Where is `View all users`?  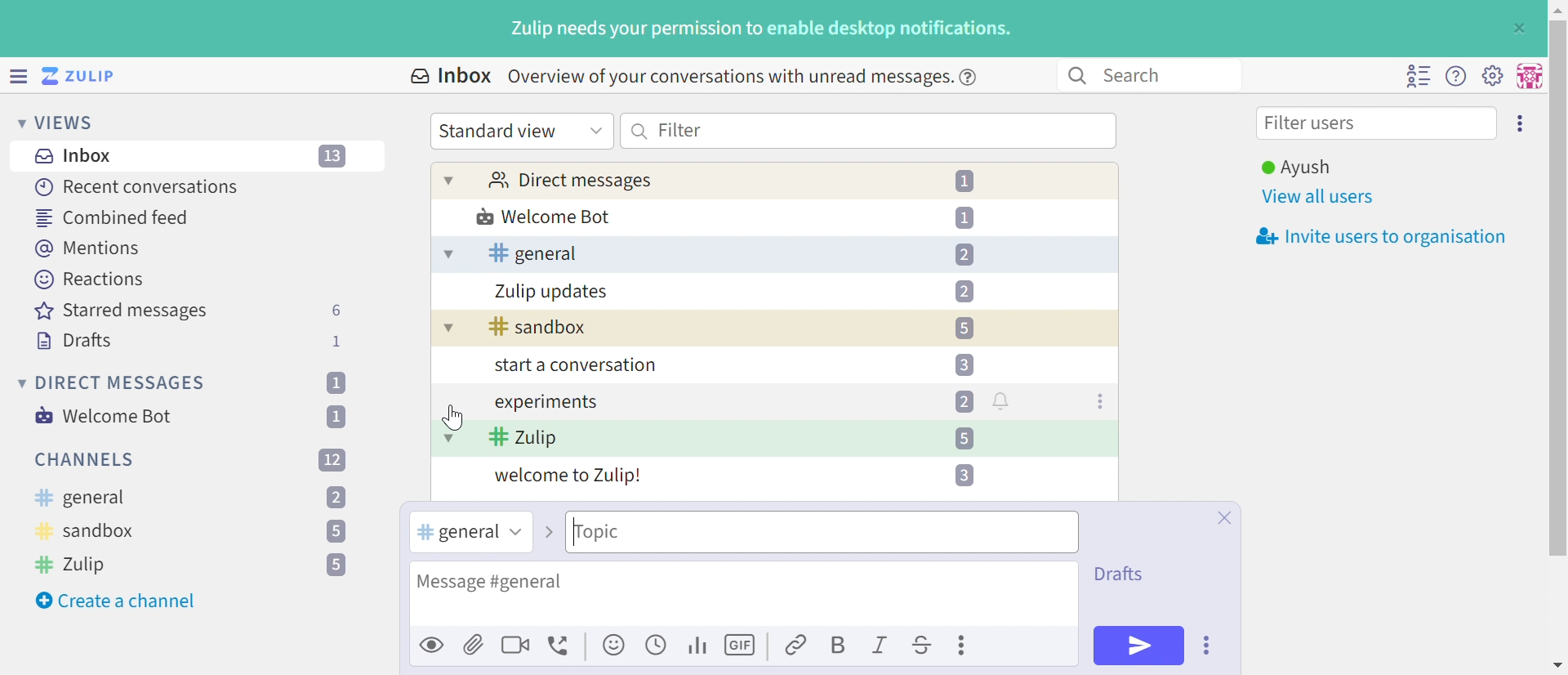
View all users is located at coordinates (1319, 198).